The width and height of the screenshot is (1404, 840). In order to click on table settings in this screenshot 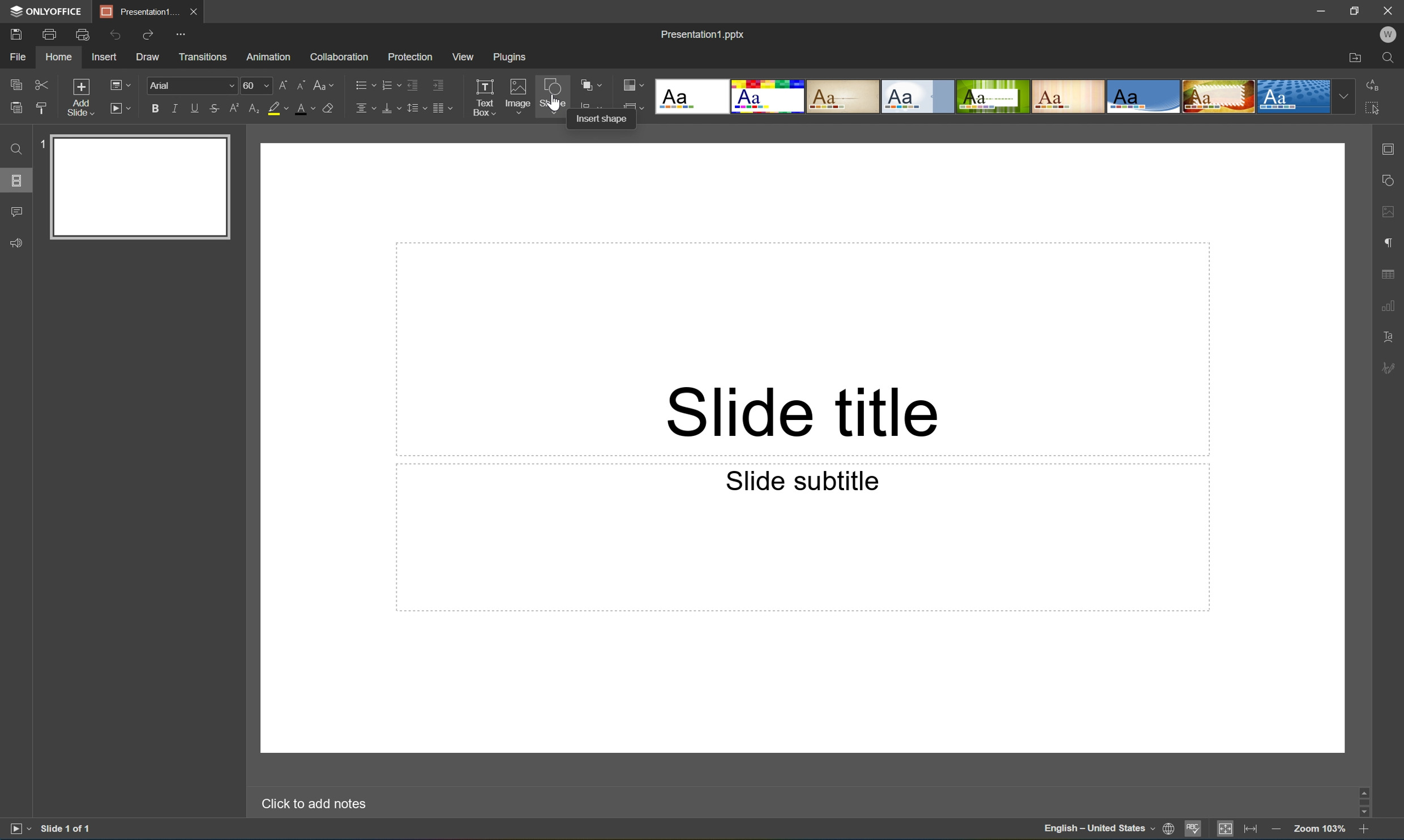, I will do `click(1389, 272)`.